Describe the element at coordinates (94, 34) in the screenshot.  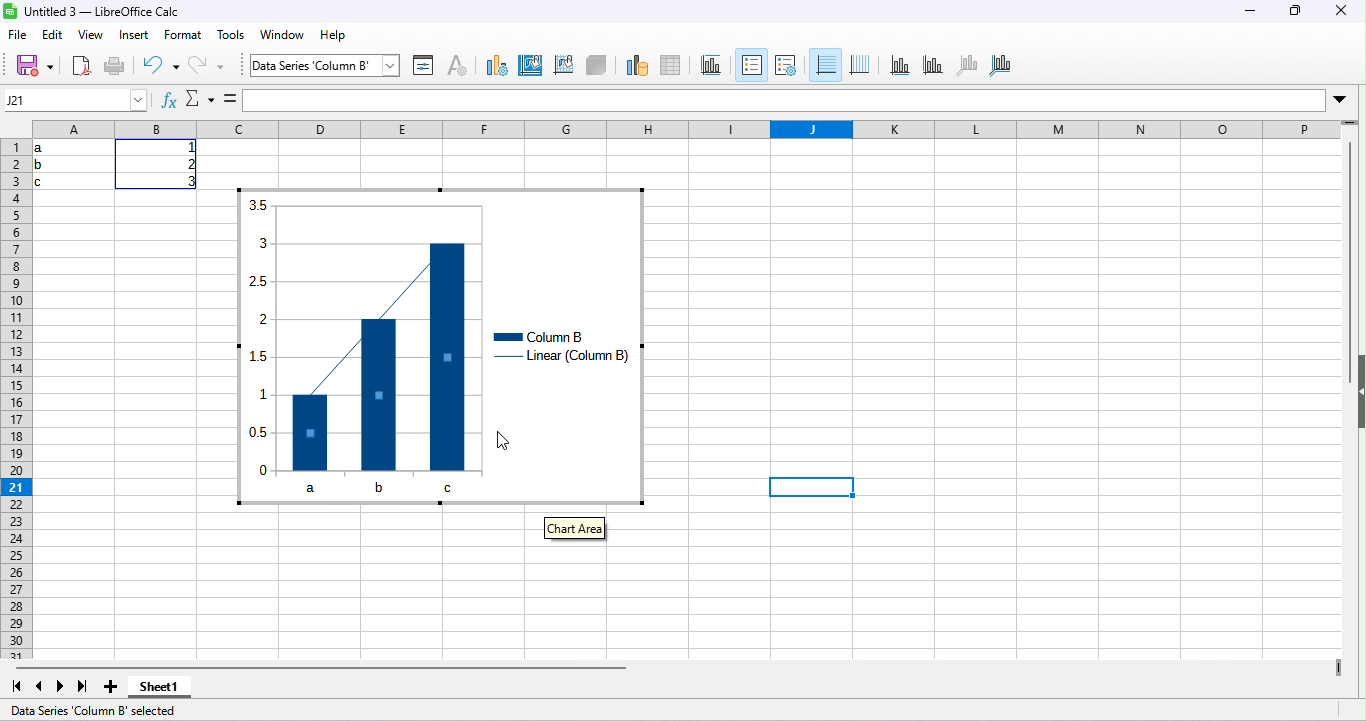
I see `view` at that location.